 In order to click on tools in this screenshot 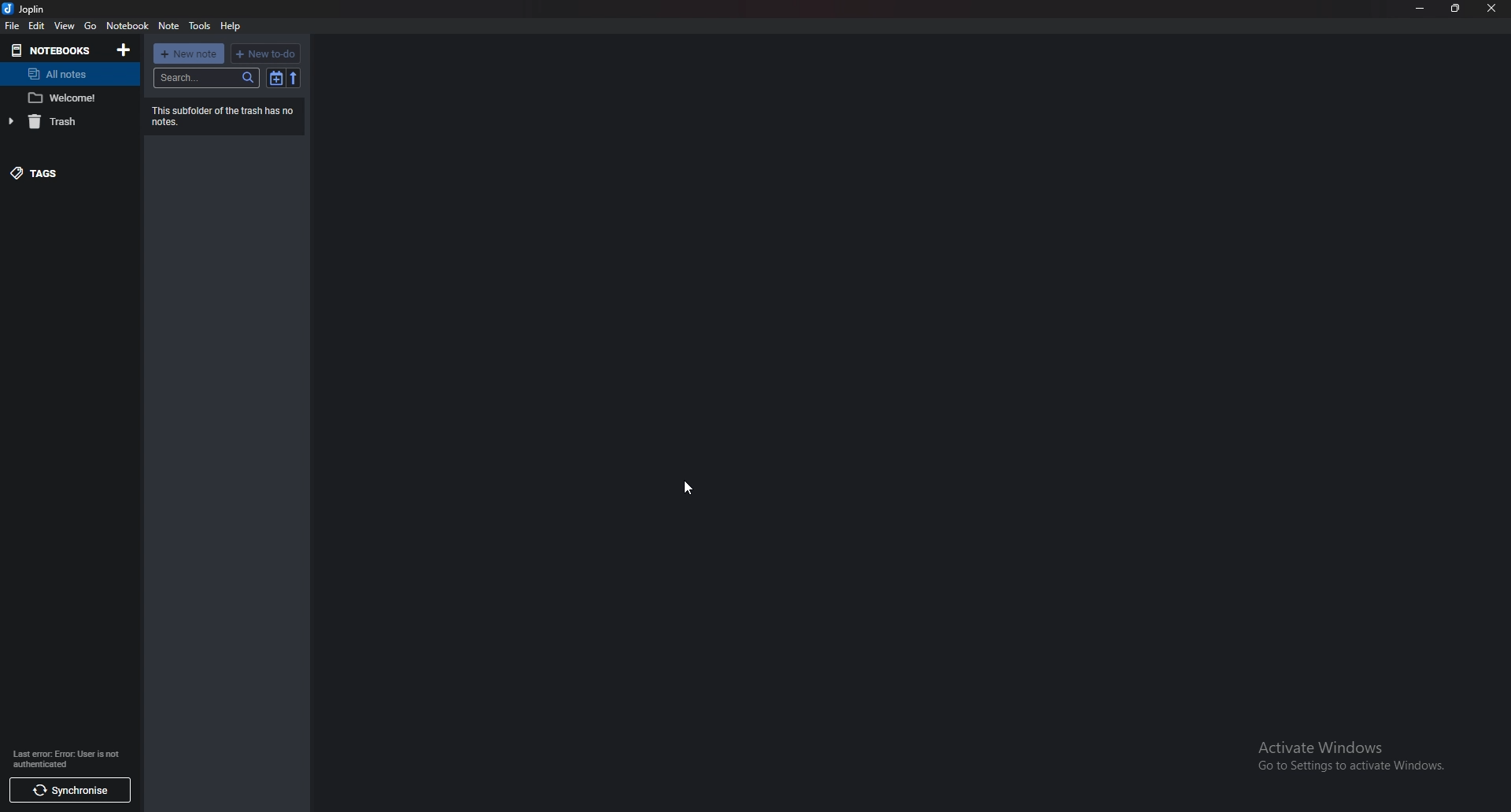, I will do `click(201, 26)`.